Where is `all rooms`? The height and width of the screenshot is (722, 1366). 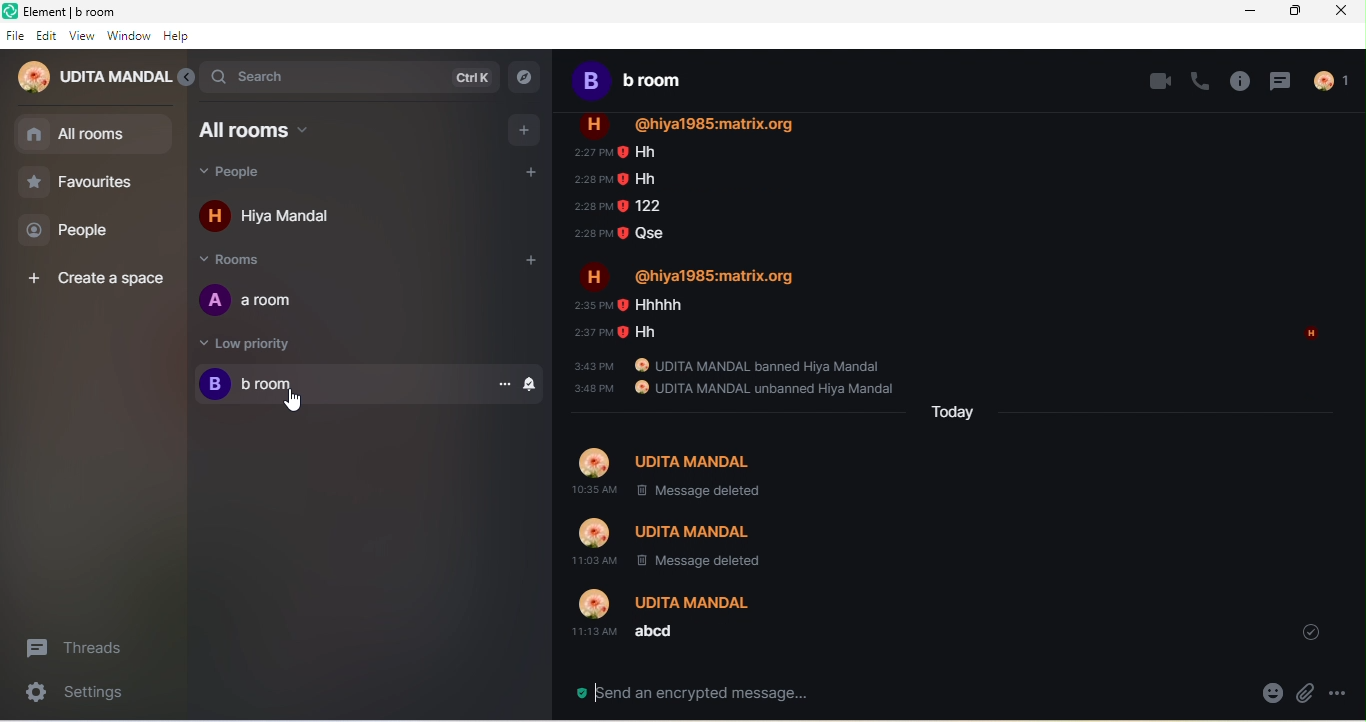 all rooms is located at coordinates (266, 130).